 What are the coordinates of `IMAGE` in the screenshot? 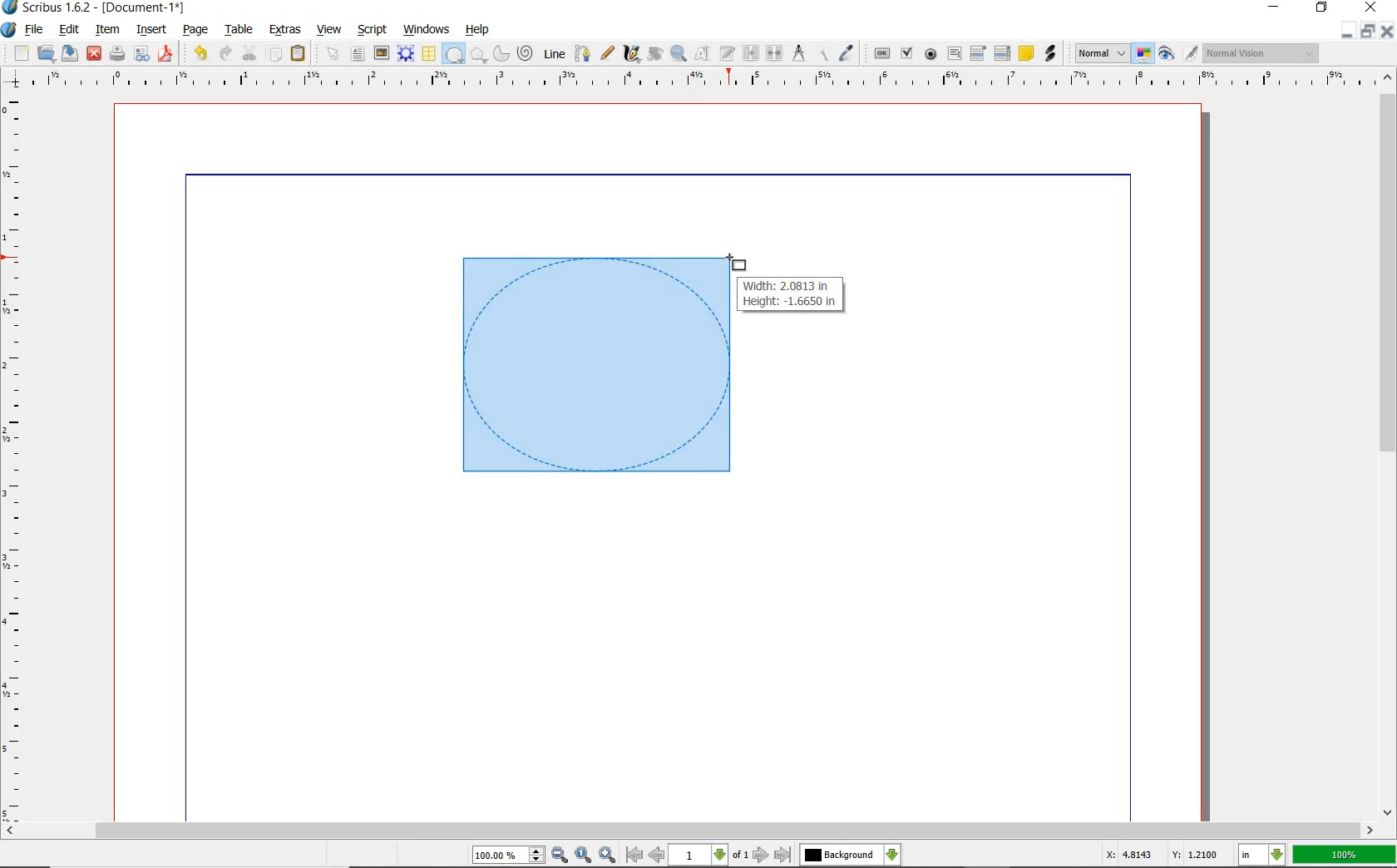 It's located at (381, 52).